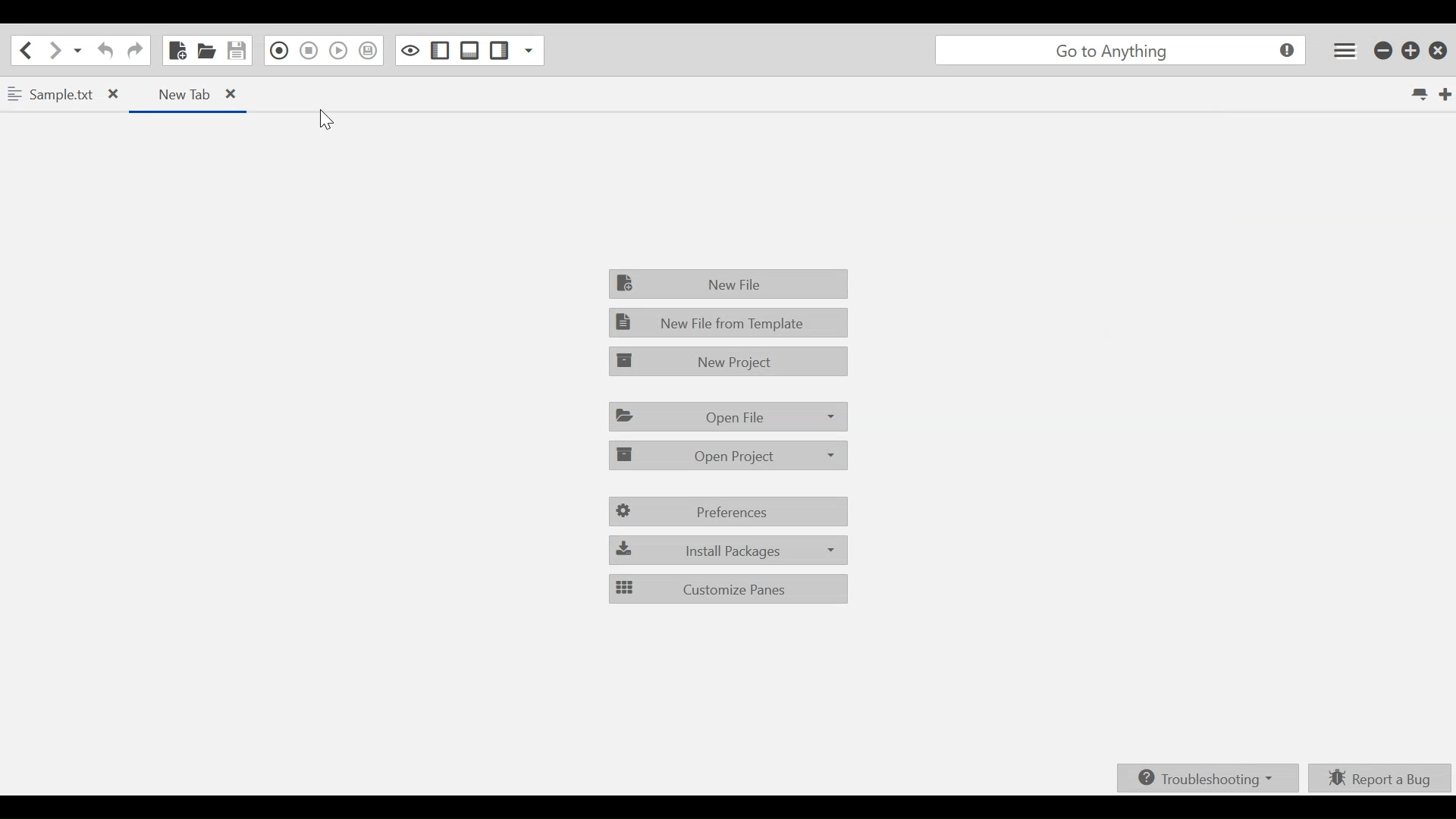 This screenshot has width=1456, height=819. I want to click on Toggle Focus Mode, so click(411, 51).